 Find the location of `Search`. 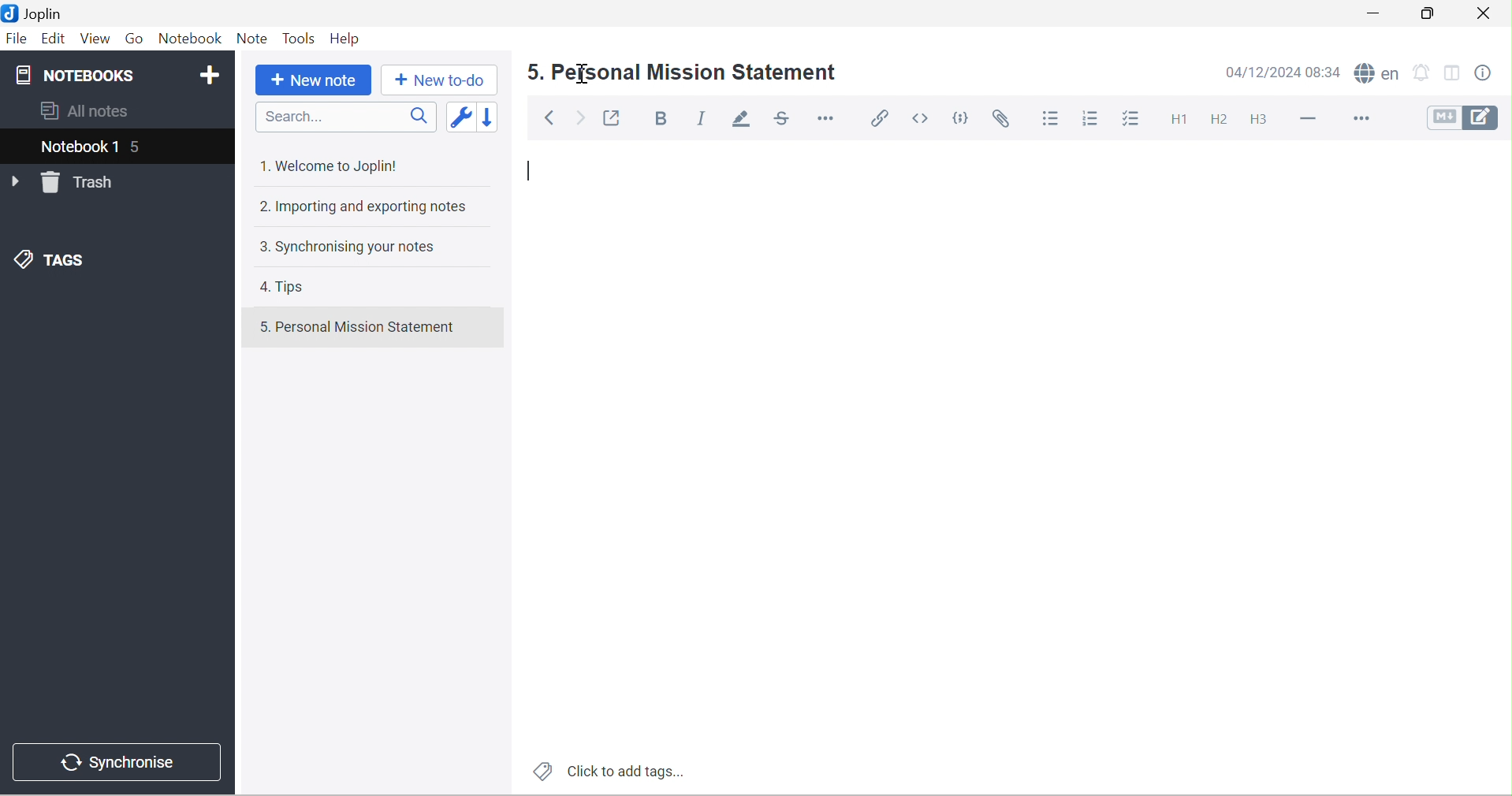

Search is located at coordinates (345, 117).